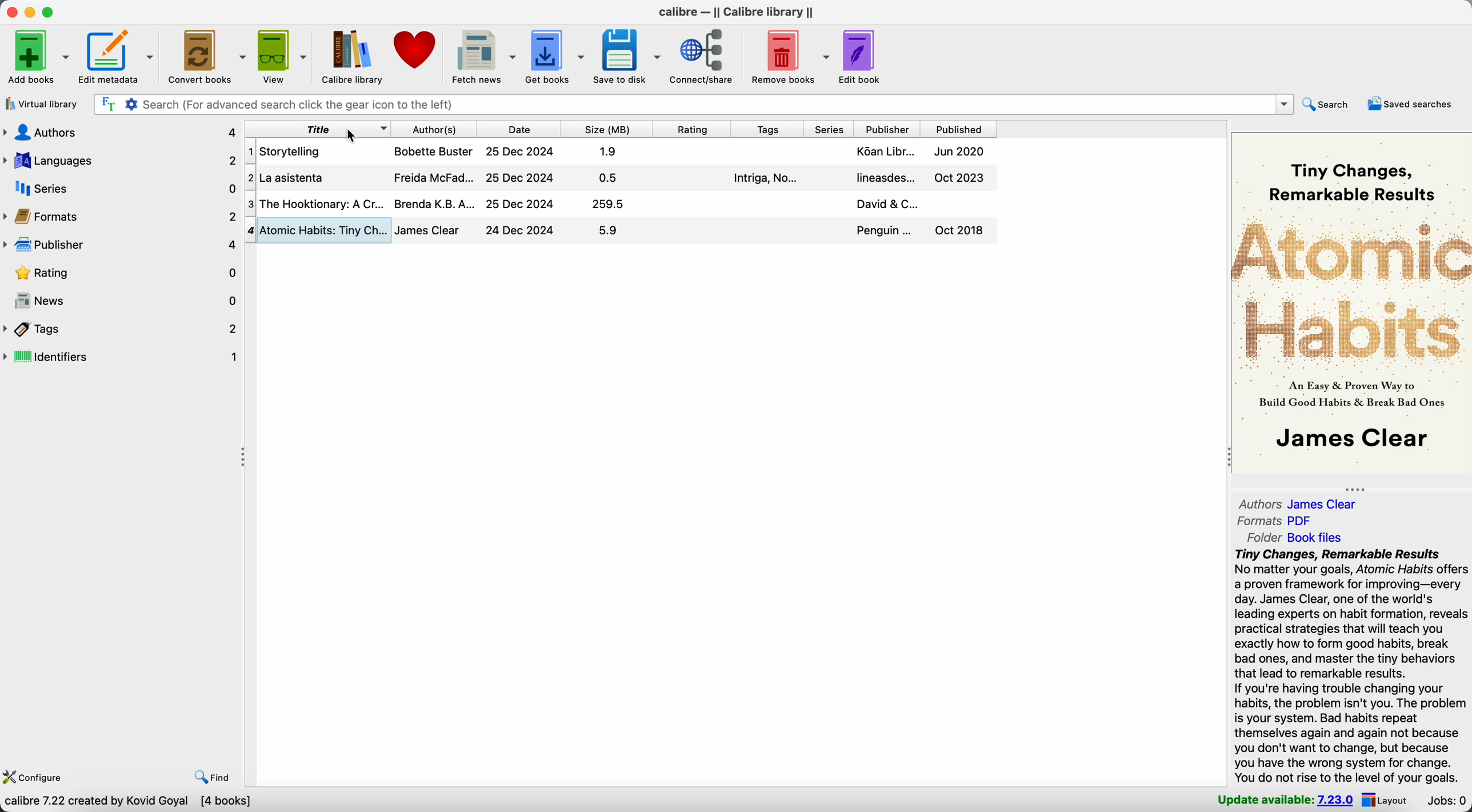 This screenshot has width=1472, height=812. What do you see at coordinates (736, 12) in the screenshot?
I see `Calibre - || calibre library ||` at bounding box center [736, 12].